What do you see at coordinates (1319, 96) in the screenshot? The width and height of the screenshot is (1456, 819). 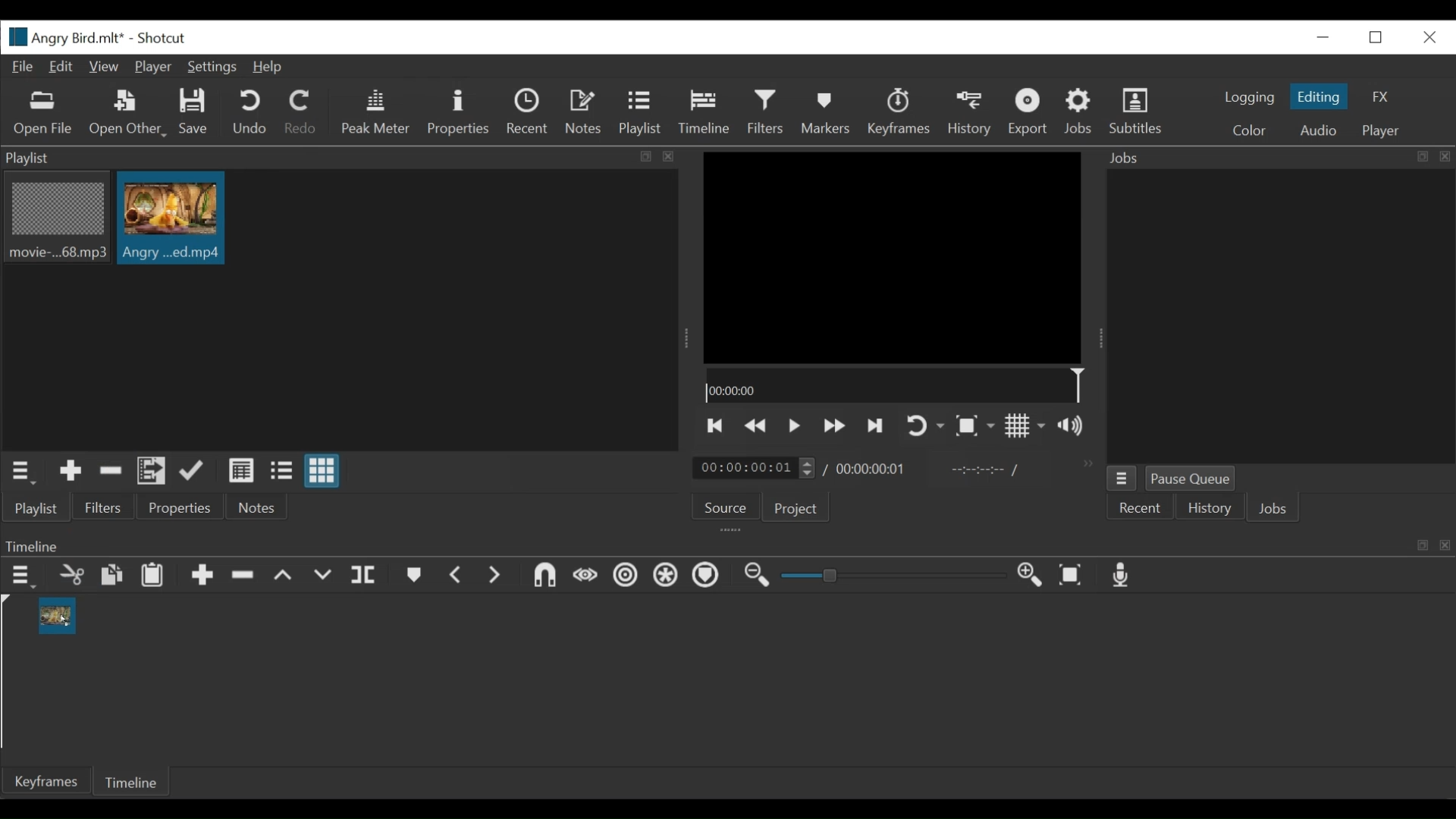 I see `Editing` at bounding box center [1319, 96].